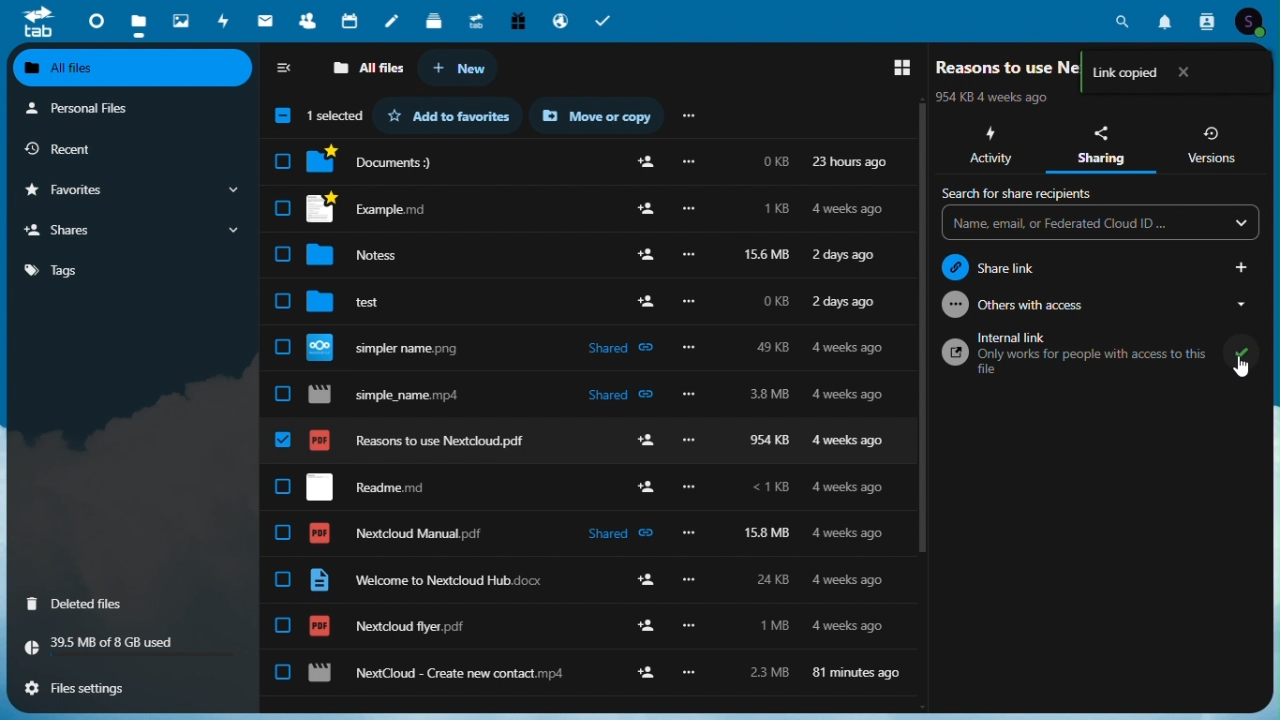  I want to click on deleted files, so click(131, 602).